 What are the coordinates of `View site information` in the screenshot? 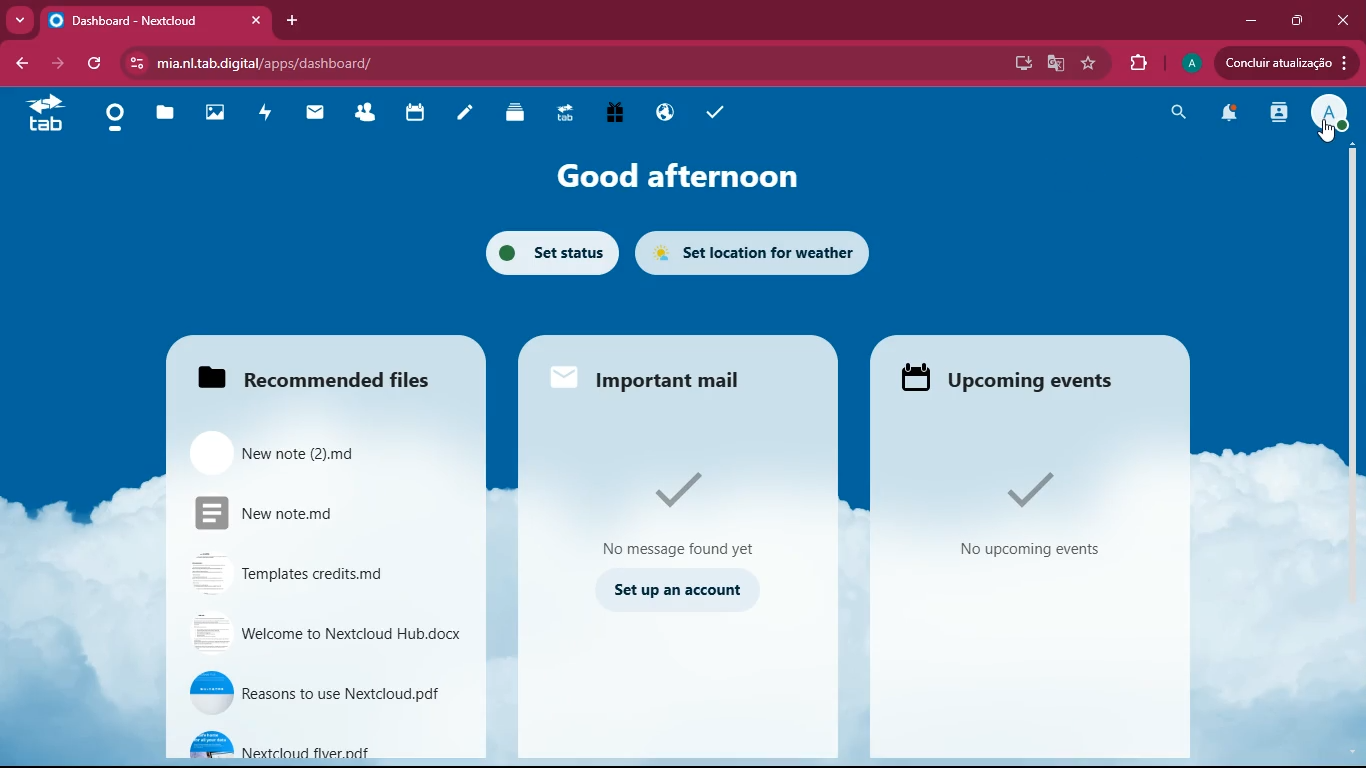 It's located at (135, 64).